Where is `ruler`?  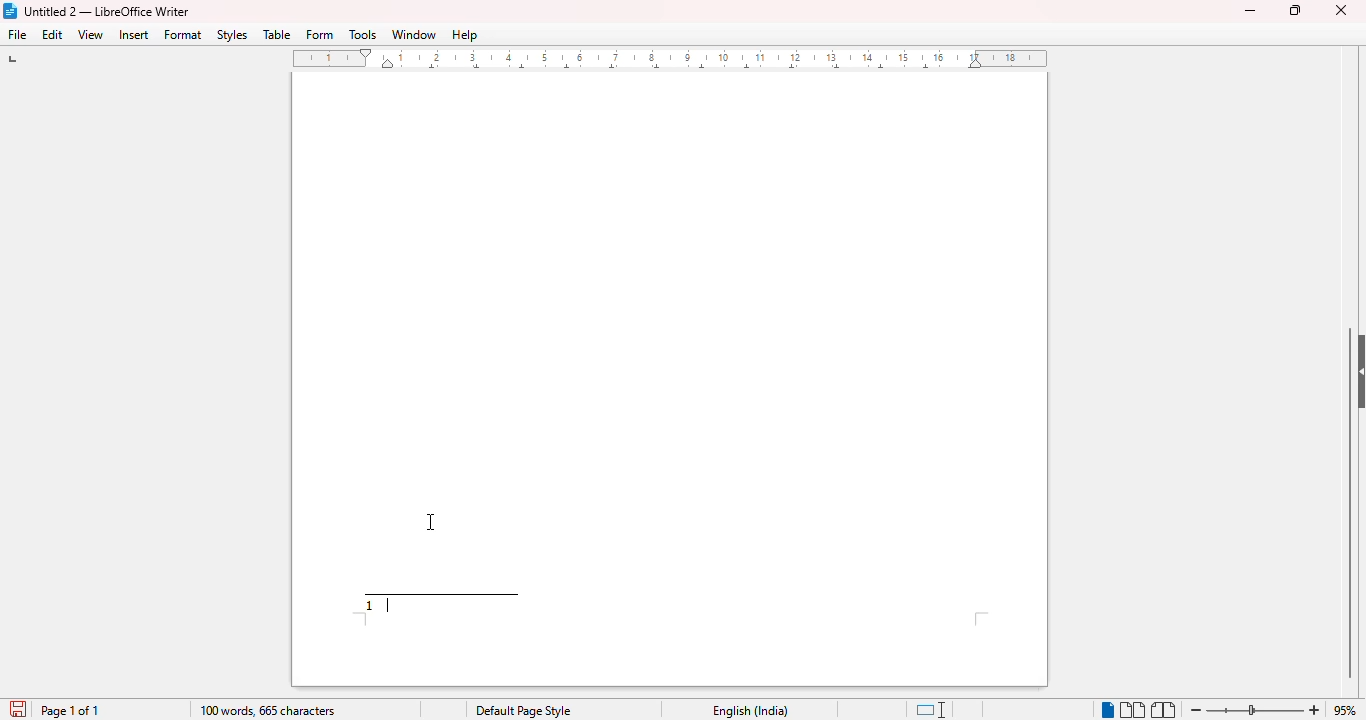 ruler is located at coordinates (675, 58).